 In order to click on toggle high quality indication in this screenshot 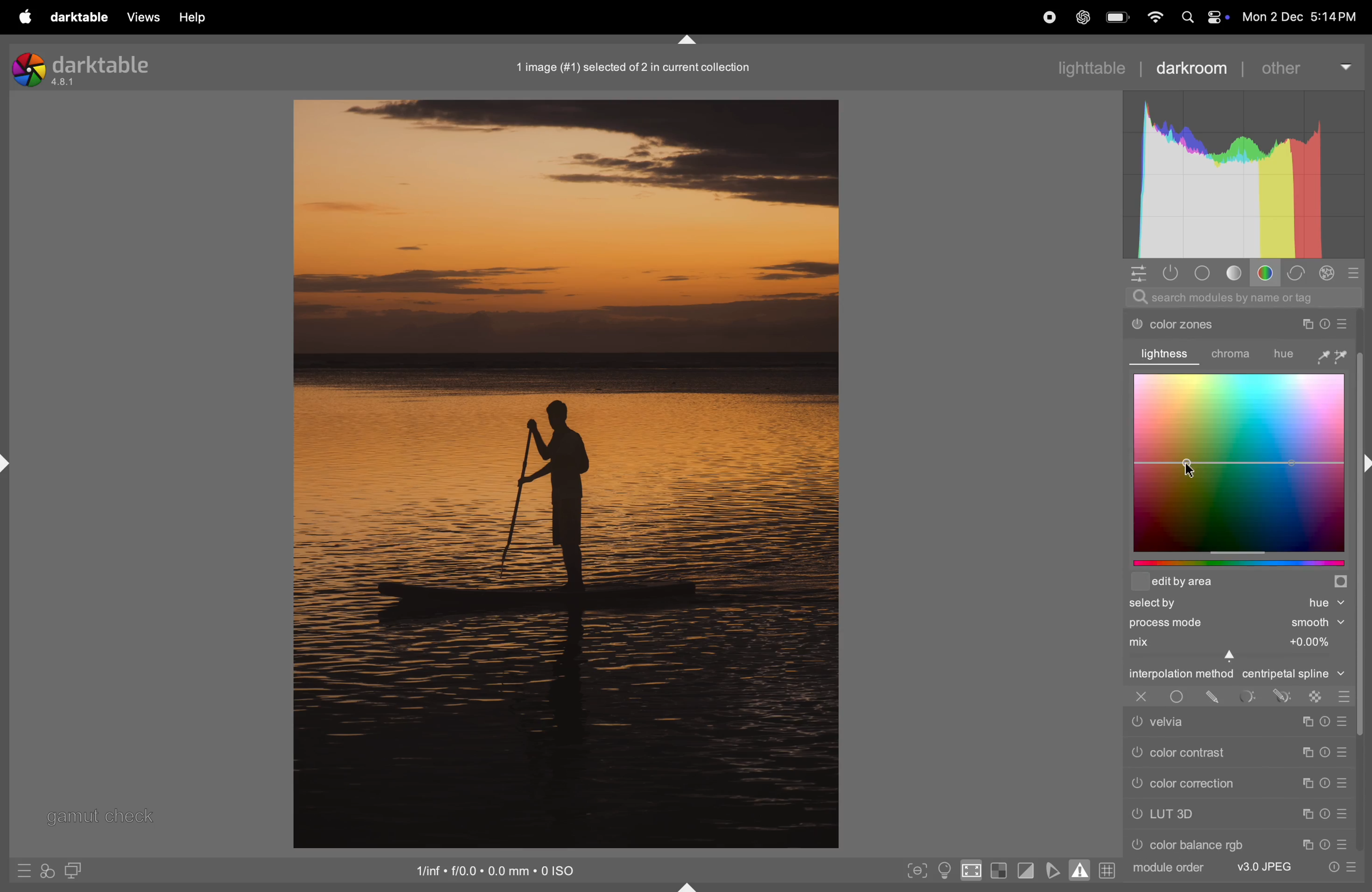, I will do `click(971, 871)`.